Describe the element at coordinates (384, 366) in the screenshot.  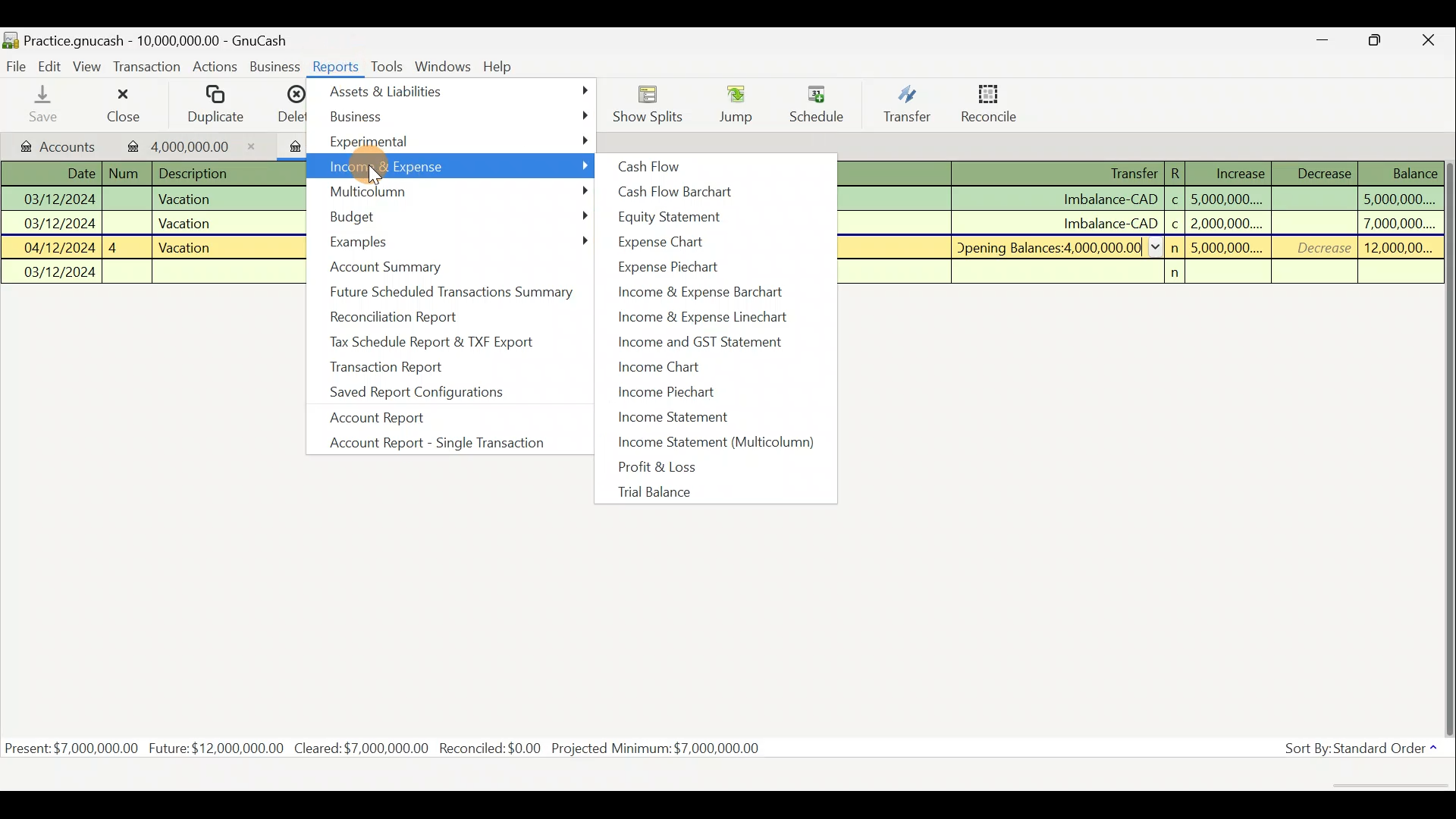
I see `Transaction report` at that location.